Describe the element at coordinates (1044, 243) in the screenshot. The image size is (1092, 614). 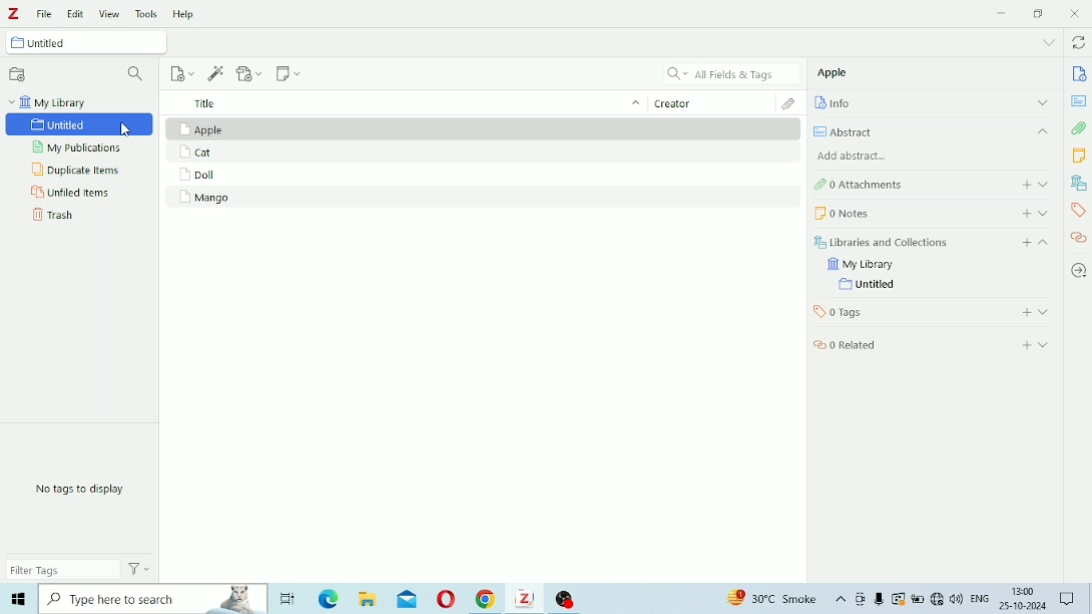
I see `Collapse section` at that location.